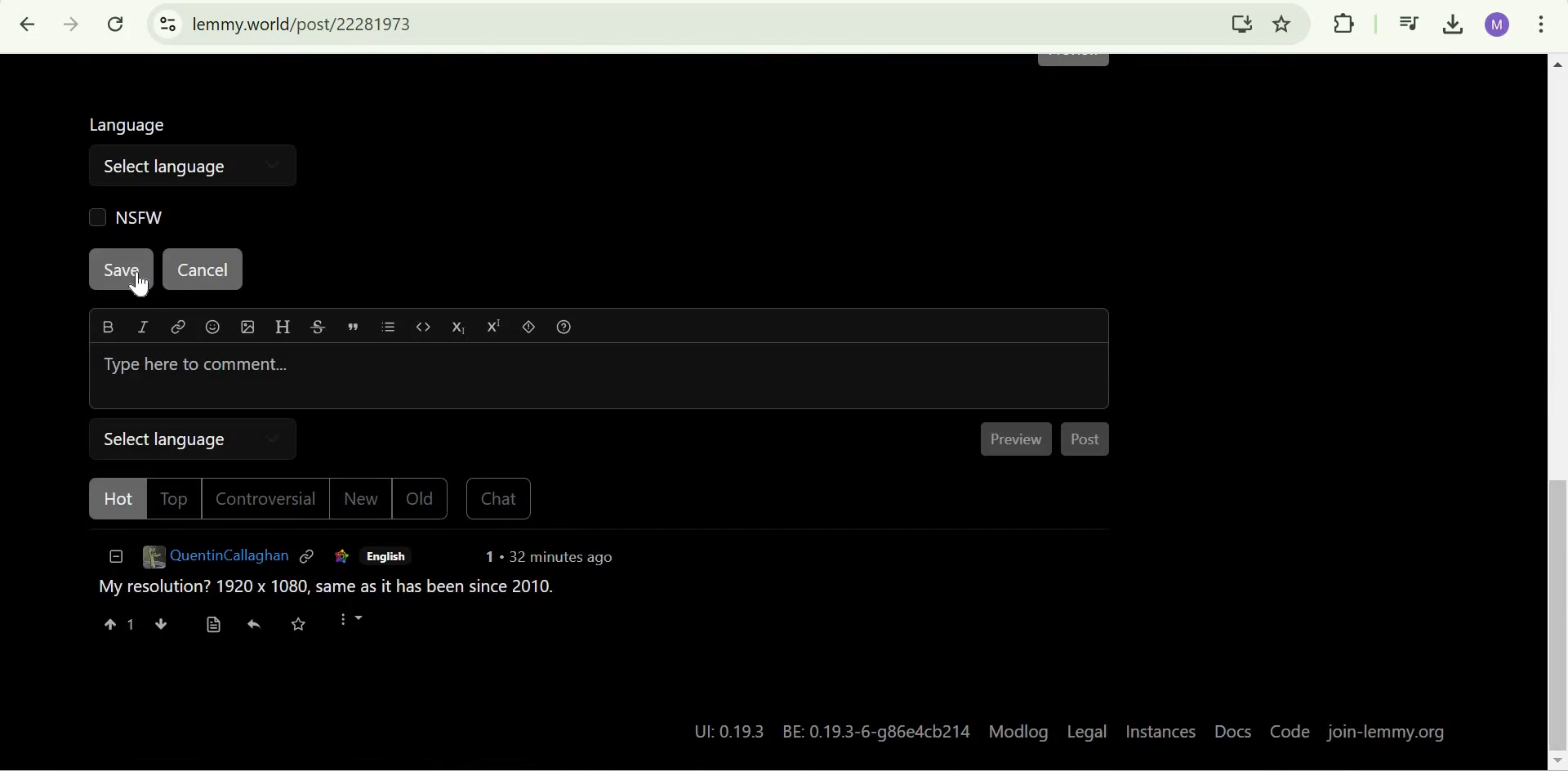 This screenshot has width=1568, height=771. I want to click on More, so click(360, 626).